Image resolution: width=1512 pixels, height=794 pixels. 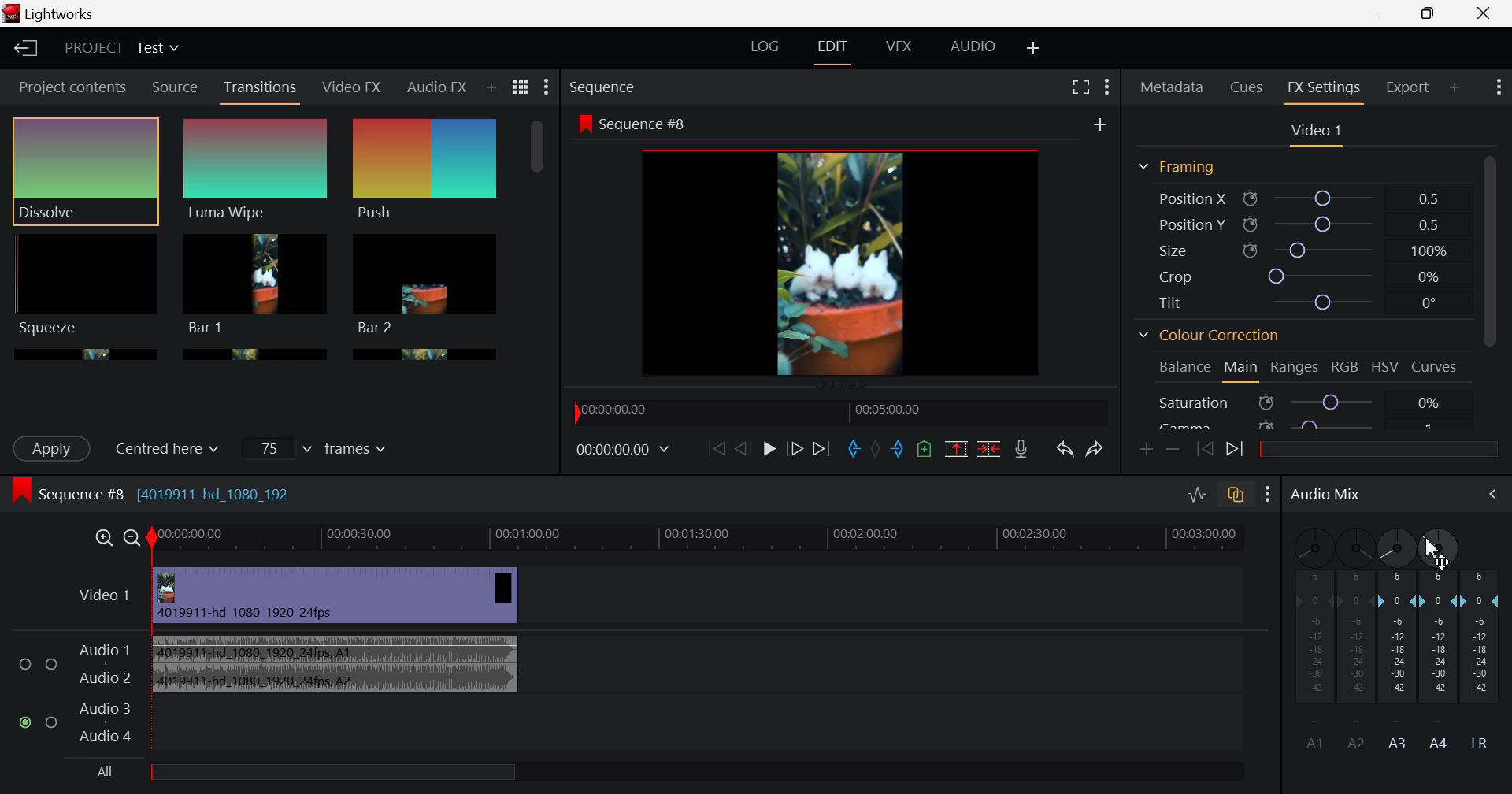 I want to click on Undo, so click(x=1066, y=451).